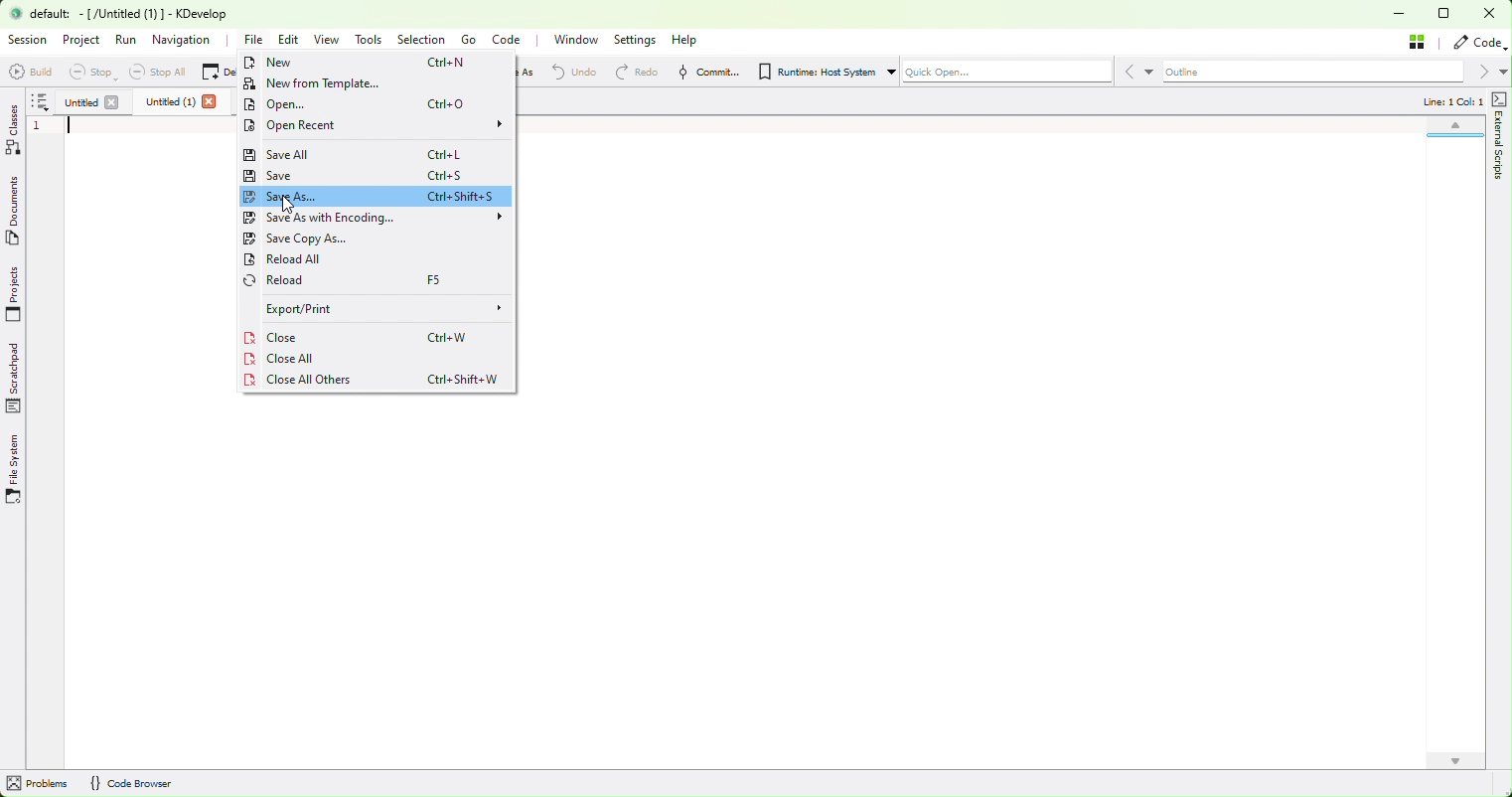  What do you see at coordinates (448, 175) in the screenshot?
I see `Ctrl+S` at bounding box center [448, 175].